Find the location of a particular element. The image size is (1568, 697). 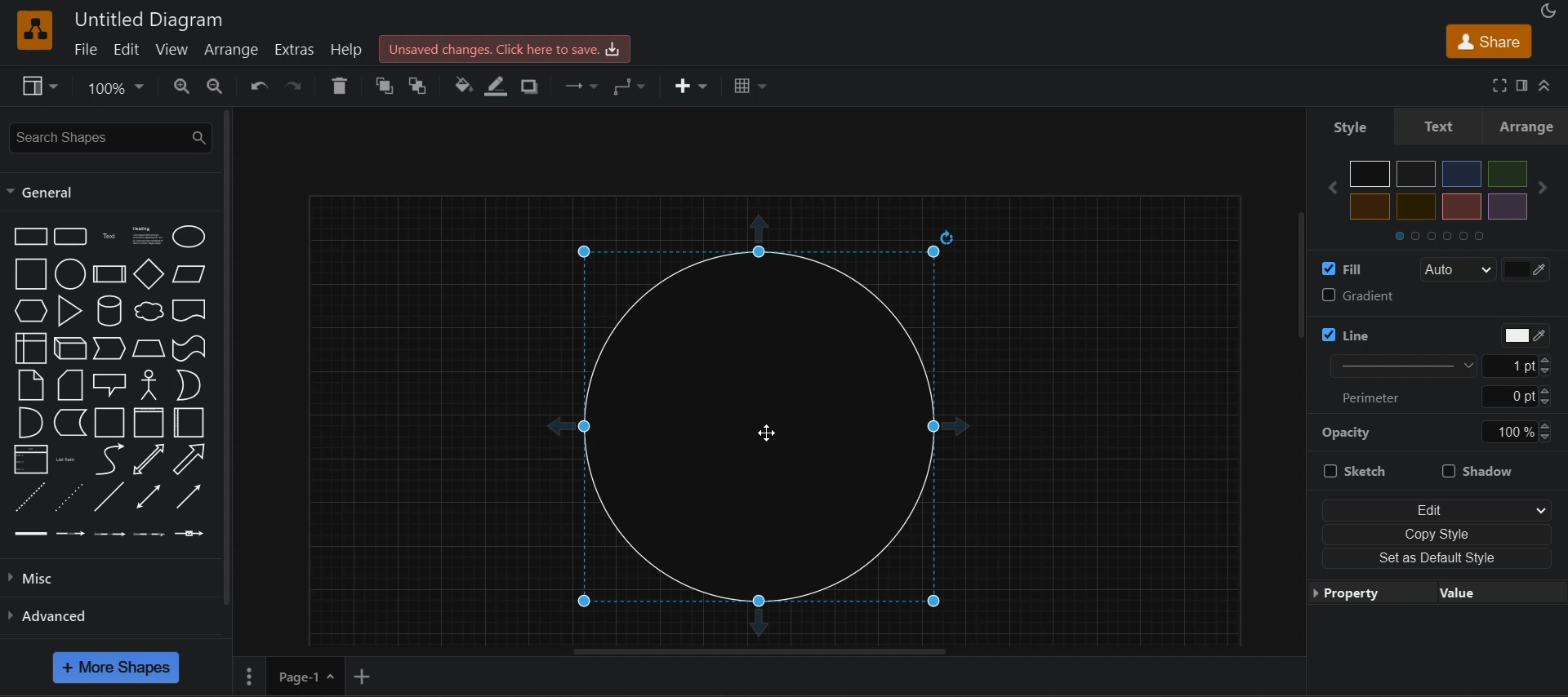

callout is located at coordinates (111, 387).